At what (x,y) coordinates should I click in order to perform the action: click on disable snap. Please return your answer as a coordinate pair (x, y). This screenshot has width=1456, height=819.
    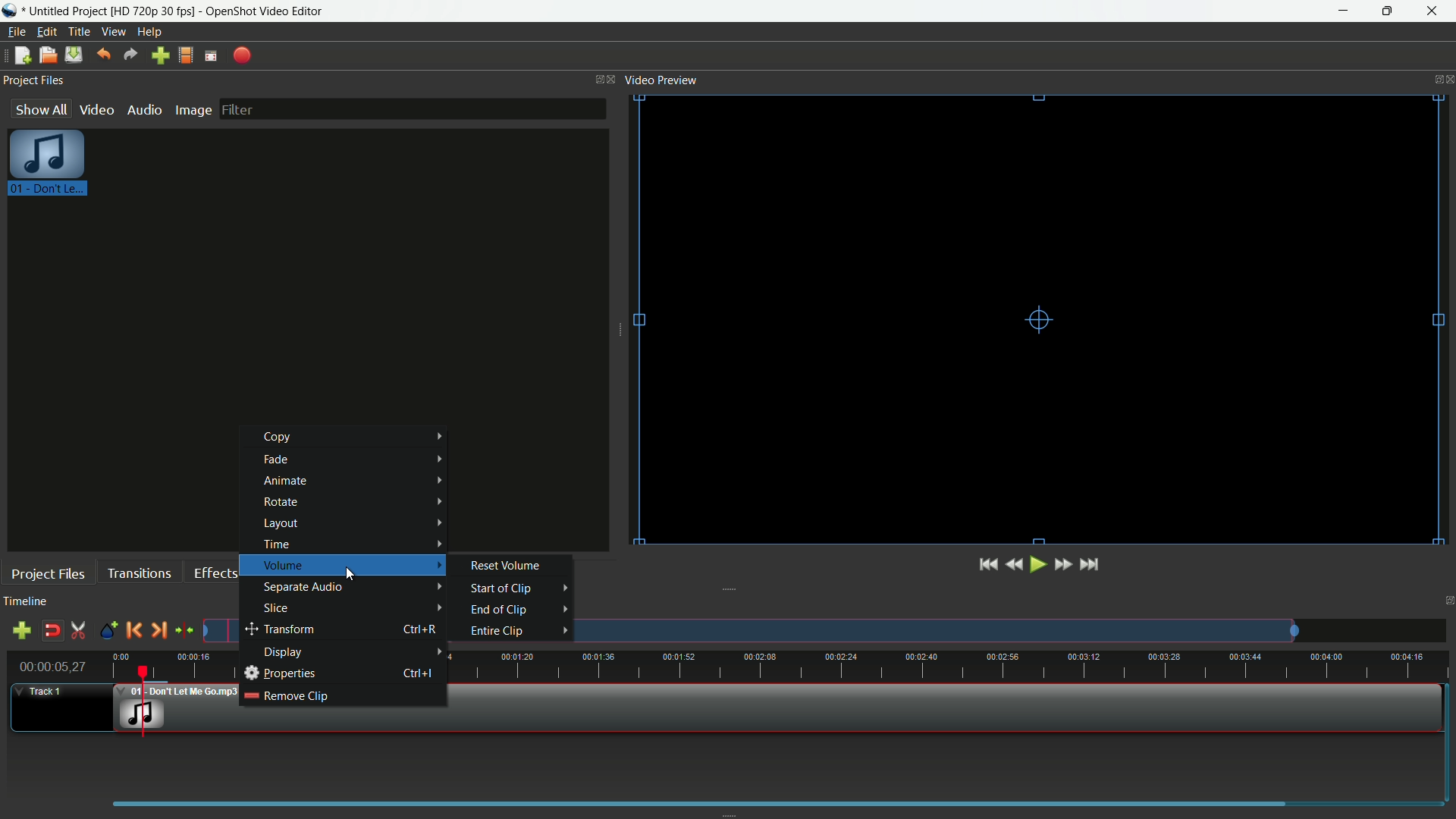
    Looking at the image, I should click on (52, 631).